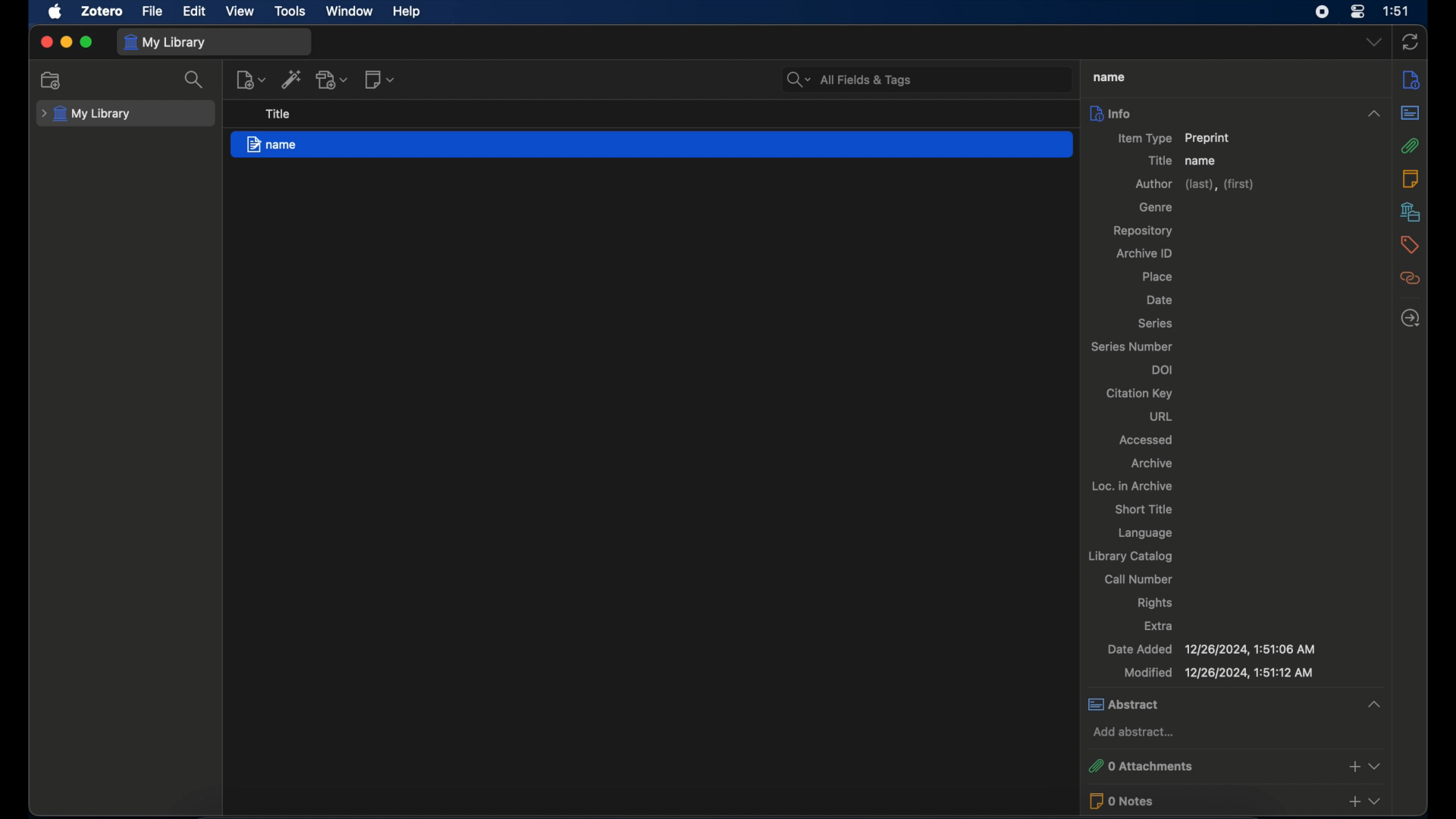  Describe the element at coordinates (1160, 300) in the screenshot. I see `date` at that location.